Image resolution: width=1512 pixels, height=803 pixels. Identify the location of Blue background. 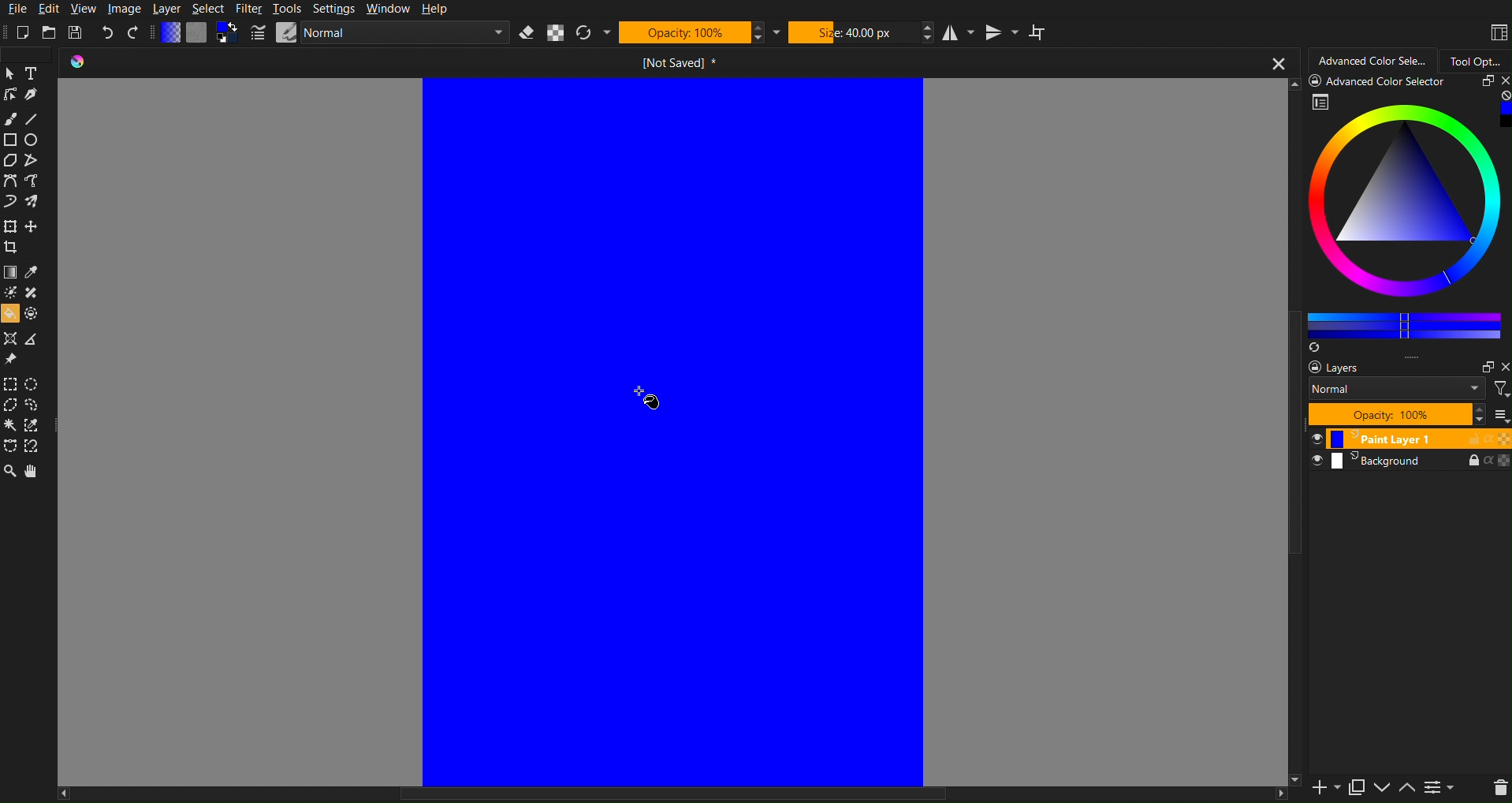
(670, 428).